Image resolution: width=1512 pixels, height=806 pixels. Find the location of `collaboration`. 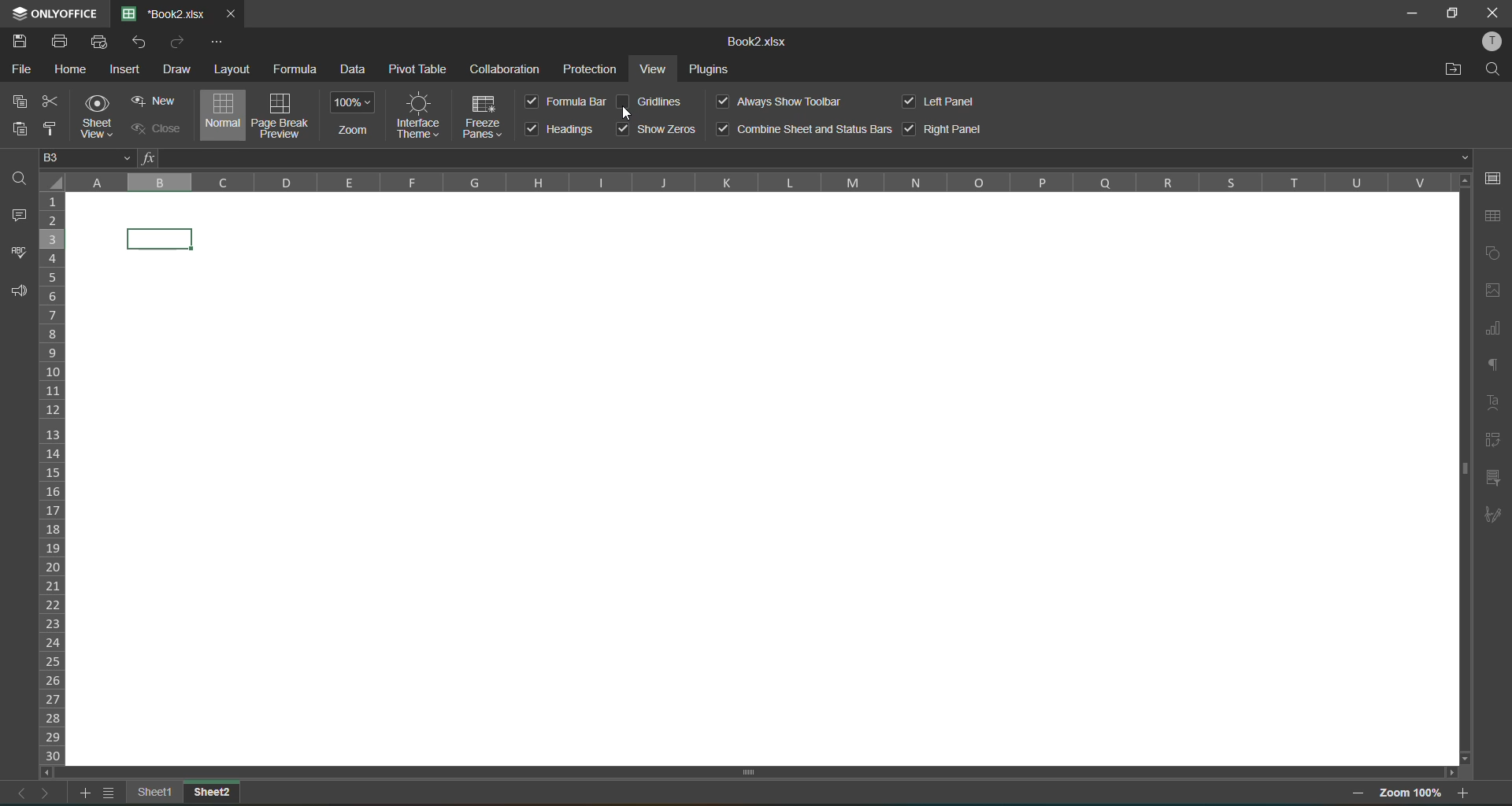

collaboration is located at coordinates (504, 68).